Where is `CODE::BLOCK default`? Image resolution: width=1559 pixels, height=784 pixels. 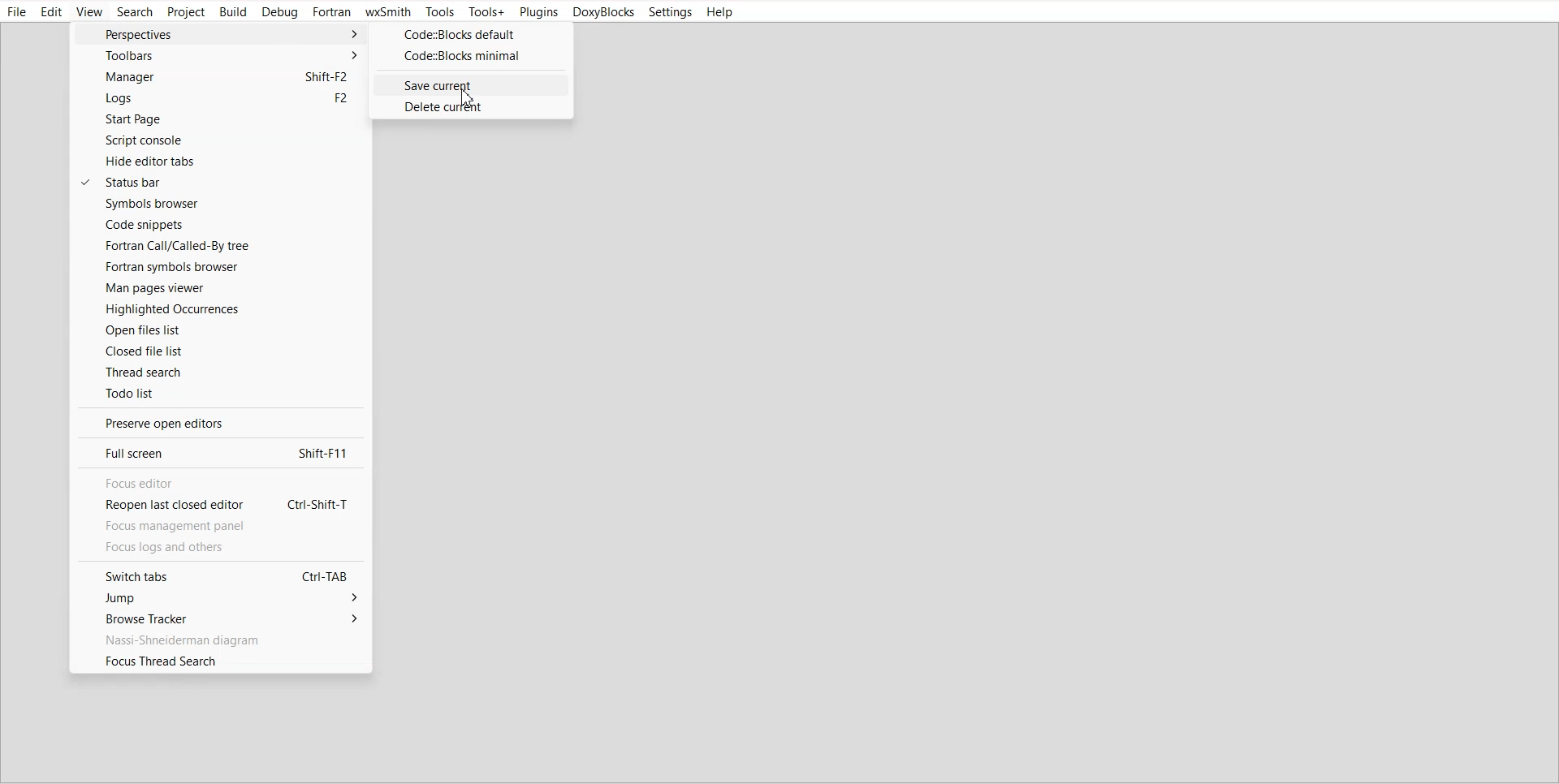
CODE::BLOCK default is located at coordinates (472, 34).